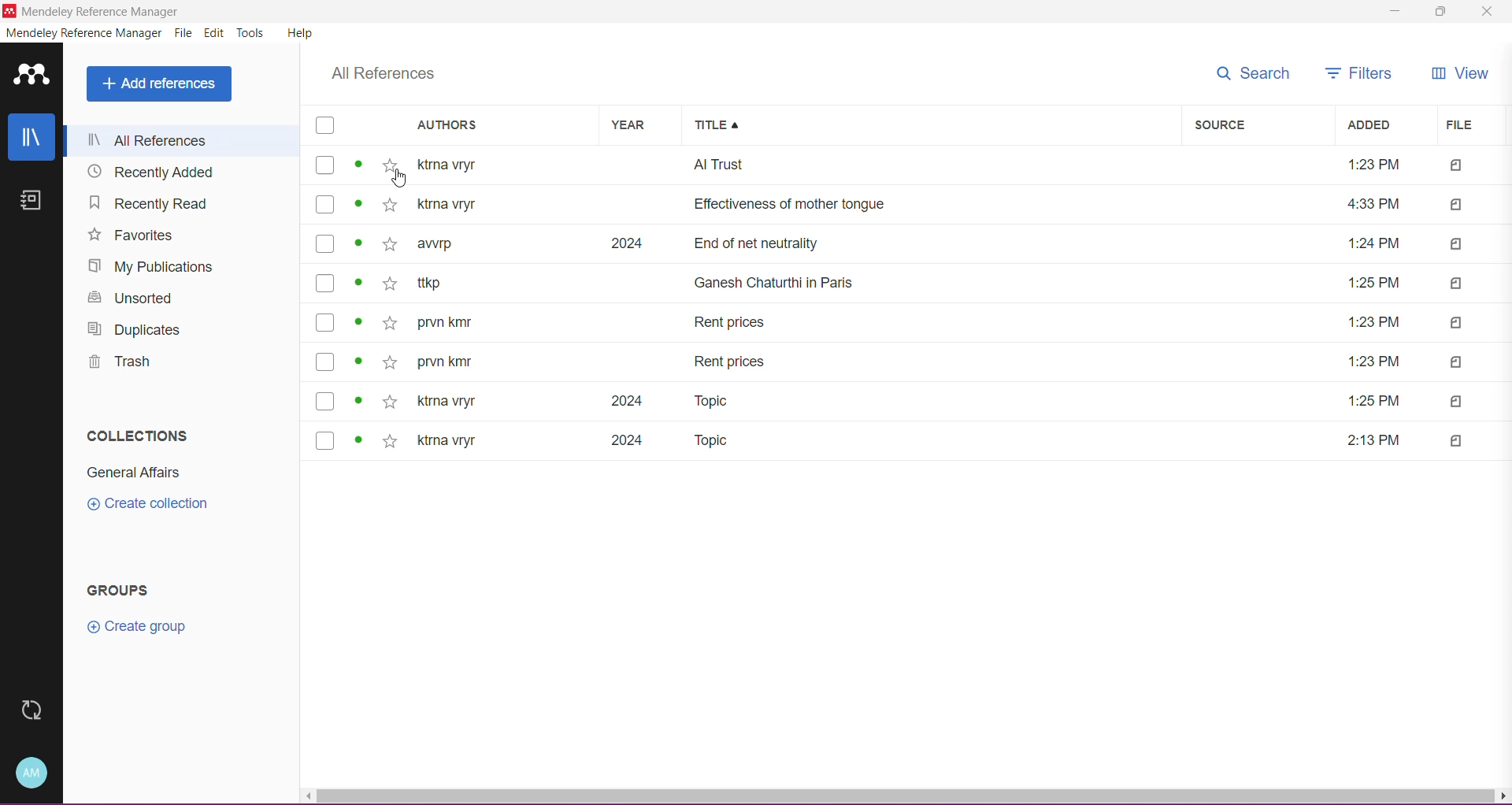  Describe the element at coordinates (31, 75) in the screenshot. I see `Application Logo` at that location.